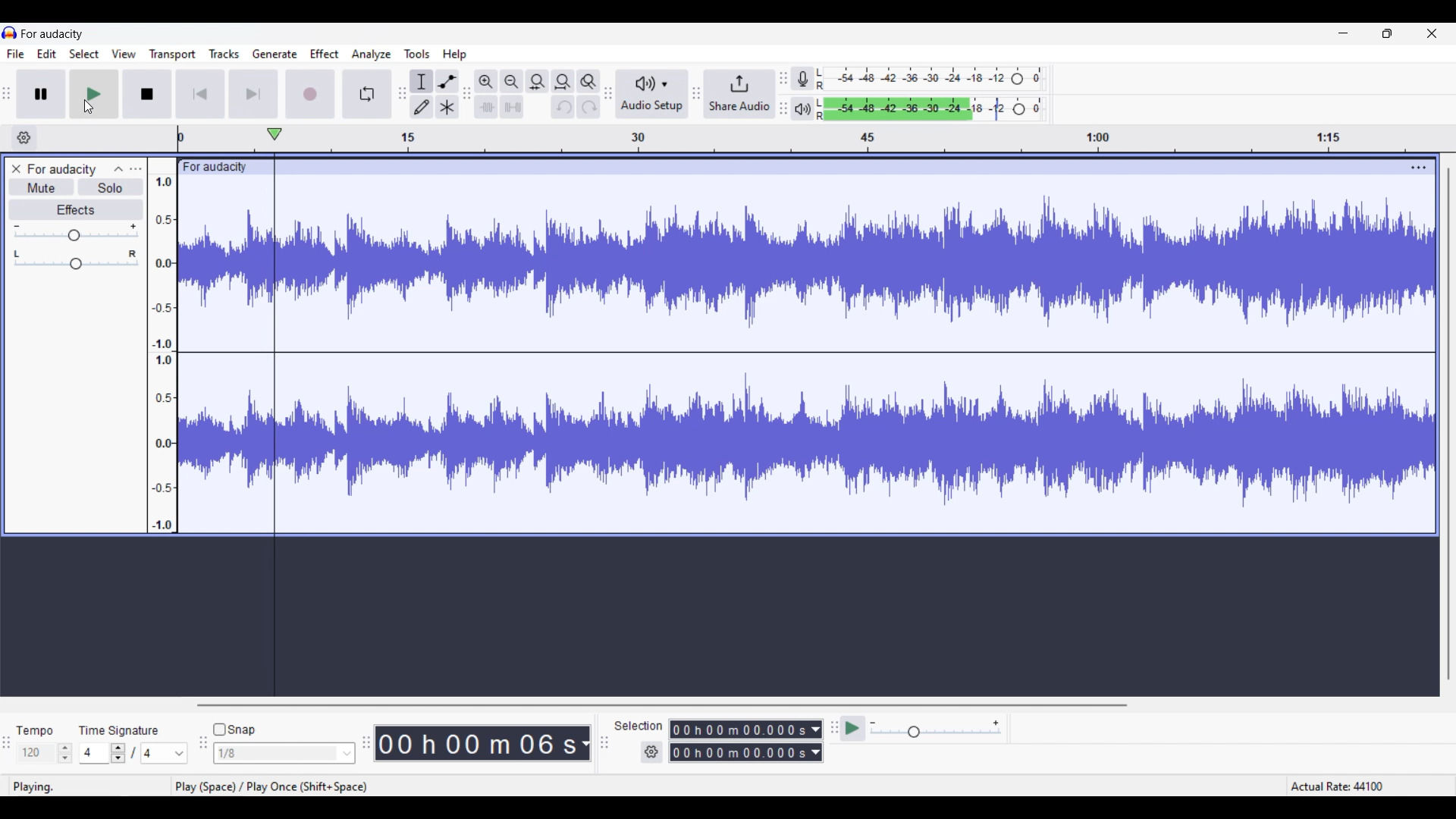 The image size is (1456, 819). What do you see at coordinates (89, 107) in the screenshot?
I see `Cursor position unchanged` at bounding box center [89, 107].